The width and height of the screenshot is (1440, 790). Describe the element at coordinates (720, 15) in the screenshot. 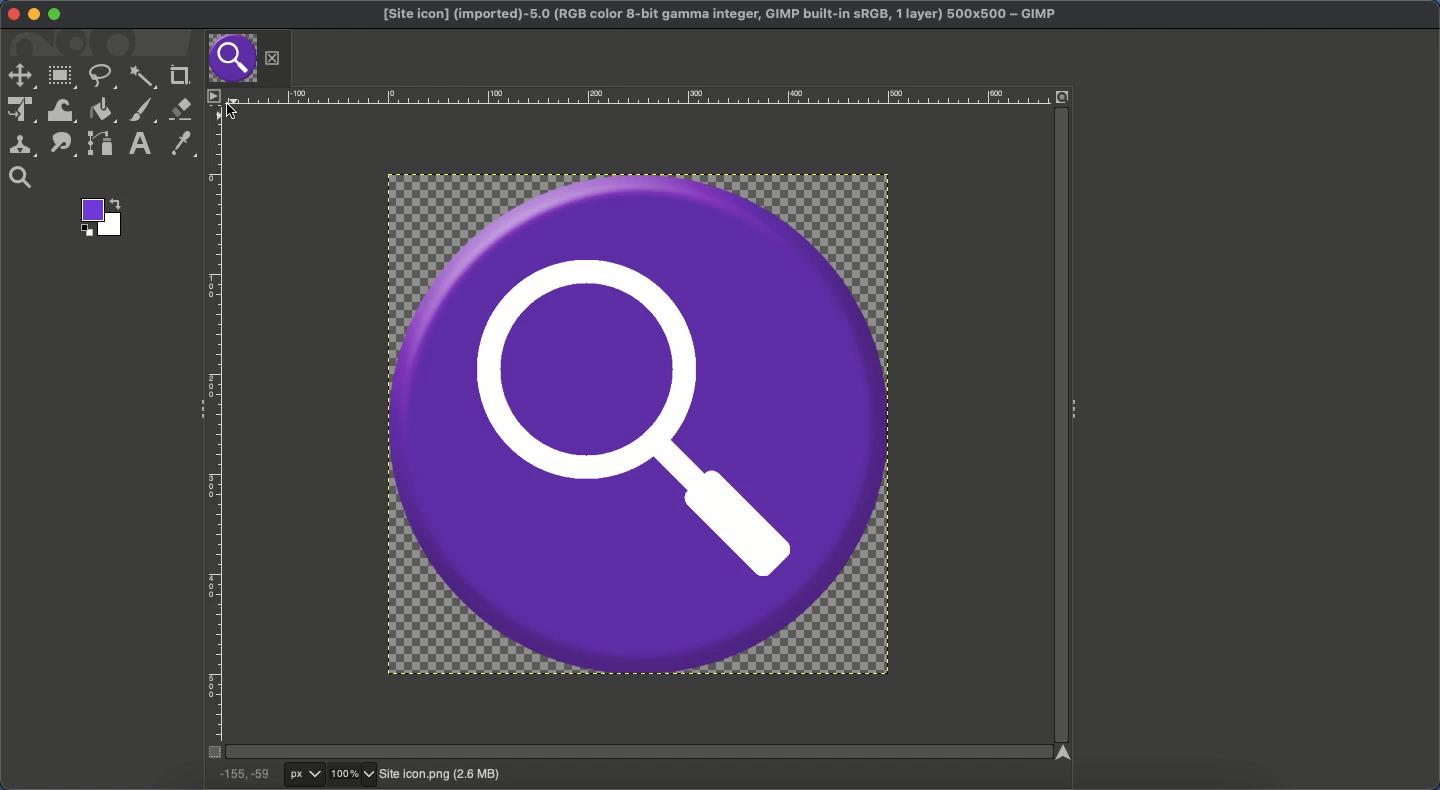

I see `Project GIMP` at that location.